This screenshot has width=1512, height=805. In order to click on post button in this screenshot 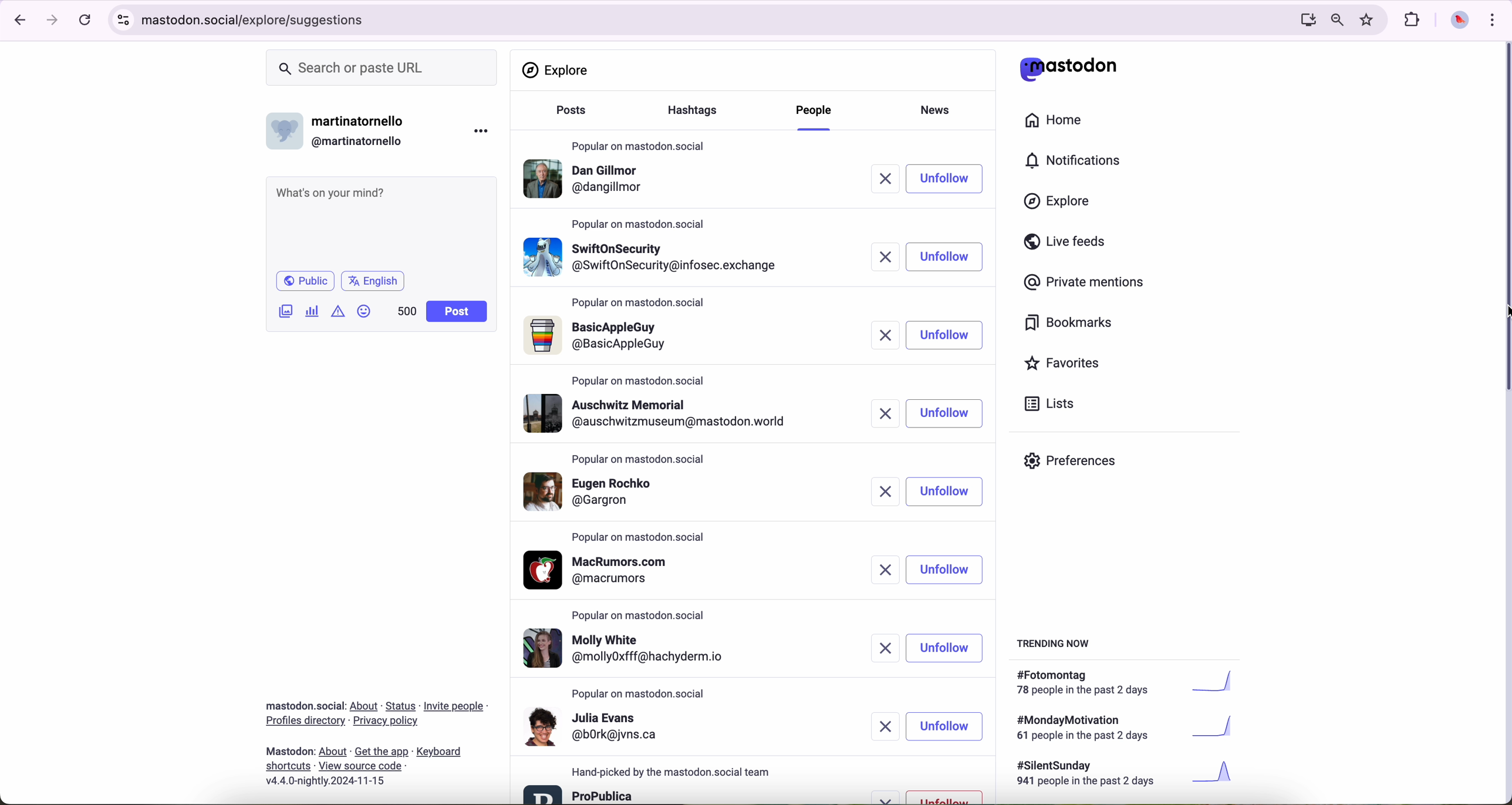, I will do `click(457, 312)`.